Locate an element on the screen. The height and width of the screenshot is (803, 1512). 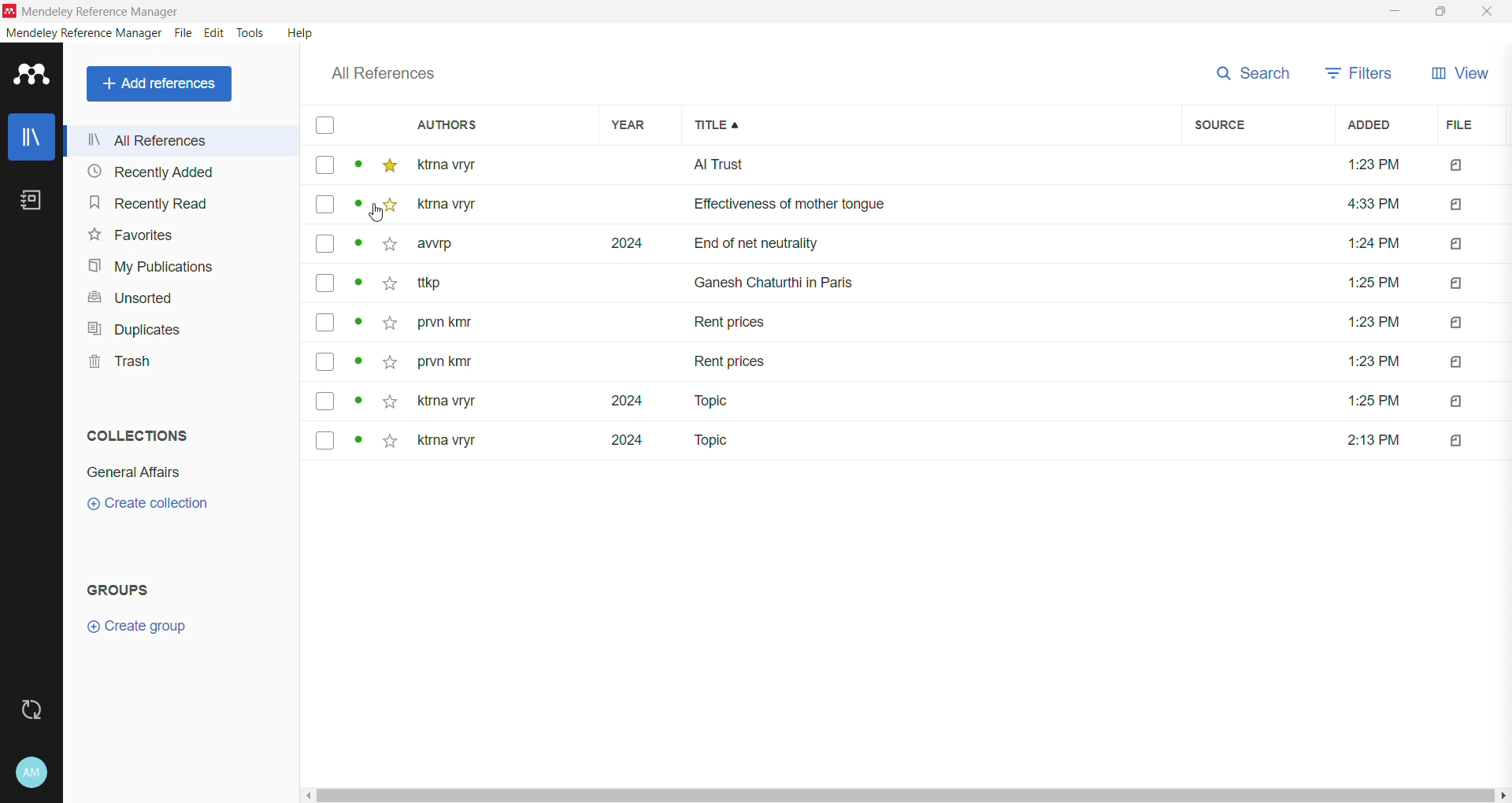
icon is located at coordinates (1454, 361).